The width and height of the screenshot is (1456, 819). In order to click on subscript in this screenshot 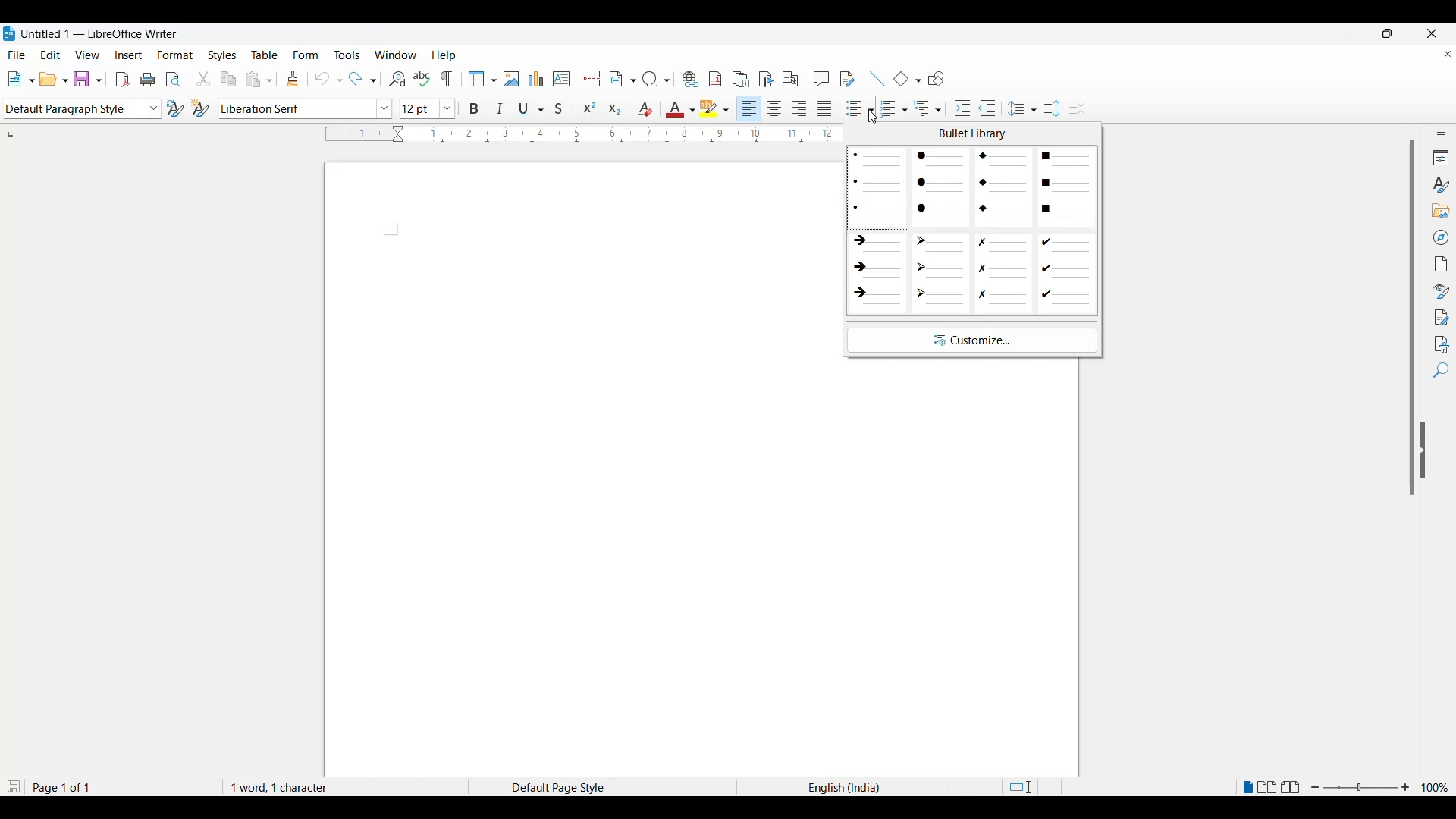, I will do `click(614, 106)`.